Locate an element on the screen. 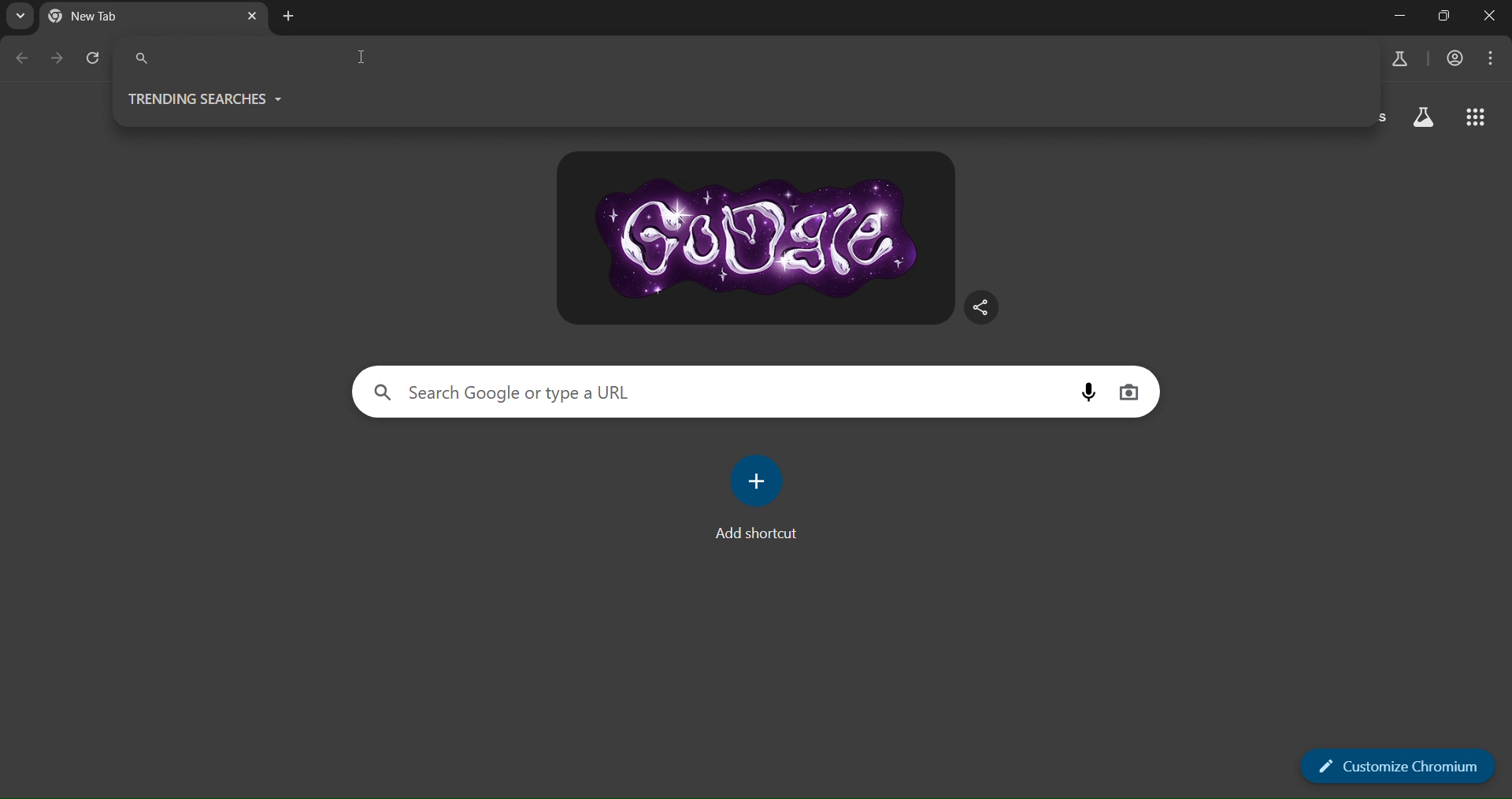 This screenshot has width=1512, height=799. search tabs is located at coordinates (18, 18).